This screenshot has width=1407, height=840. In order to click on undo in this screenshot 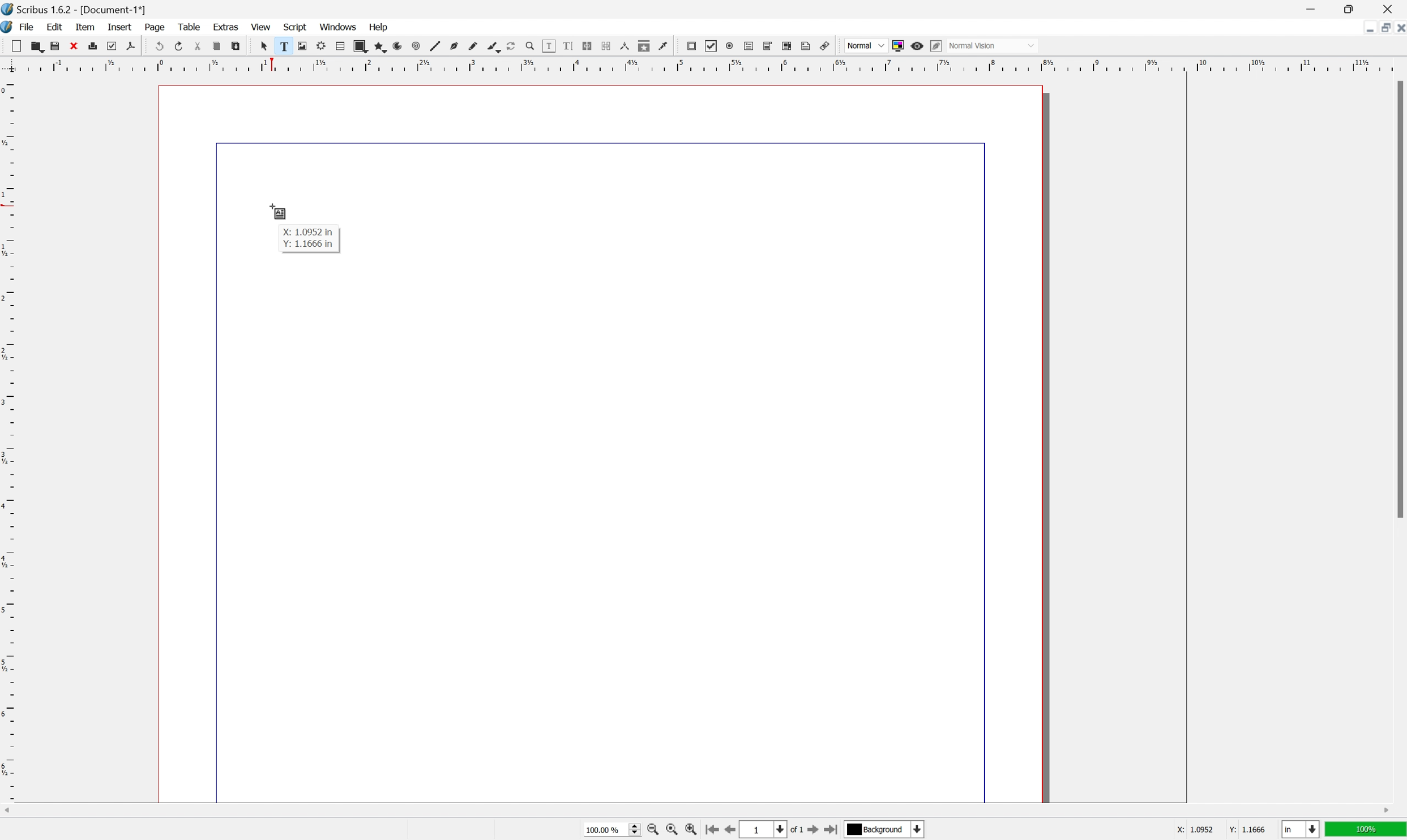, I will do `click(160, 47)`.